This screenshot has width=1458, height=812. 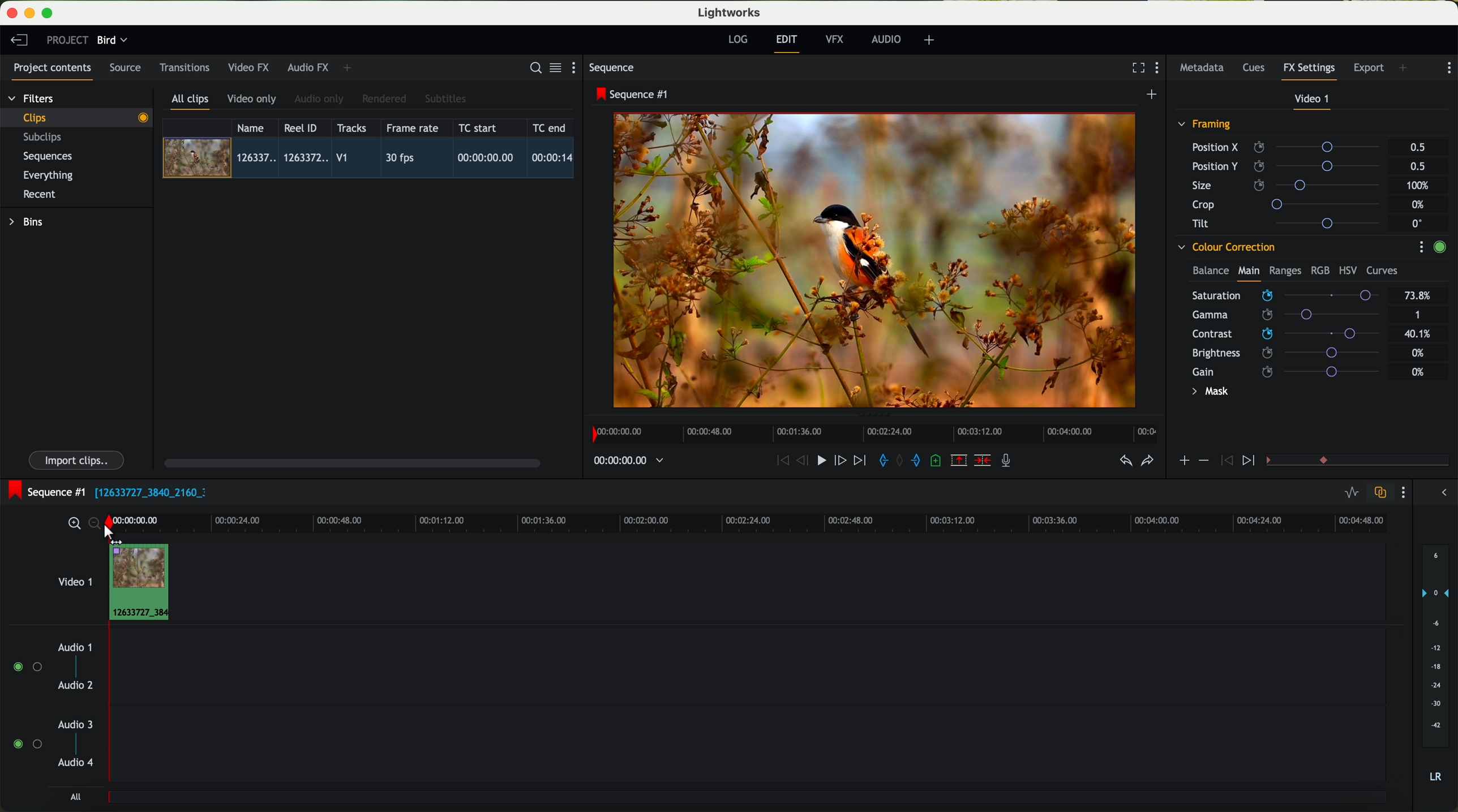 I want to click on nudge one frame foward, so click(x=842, y=461).